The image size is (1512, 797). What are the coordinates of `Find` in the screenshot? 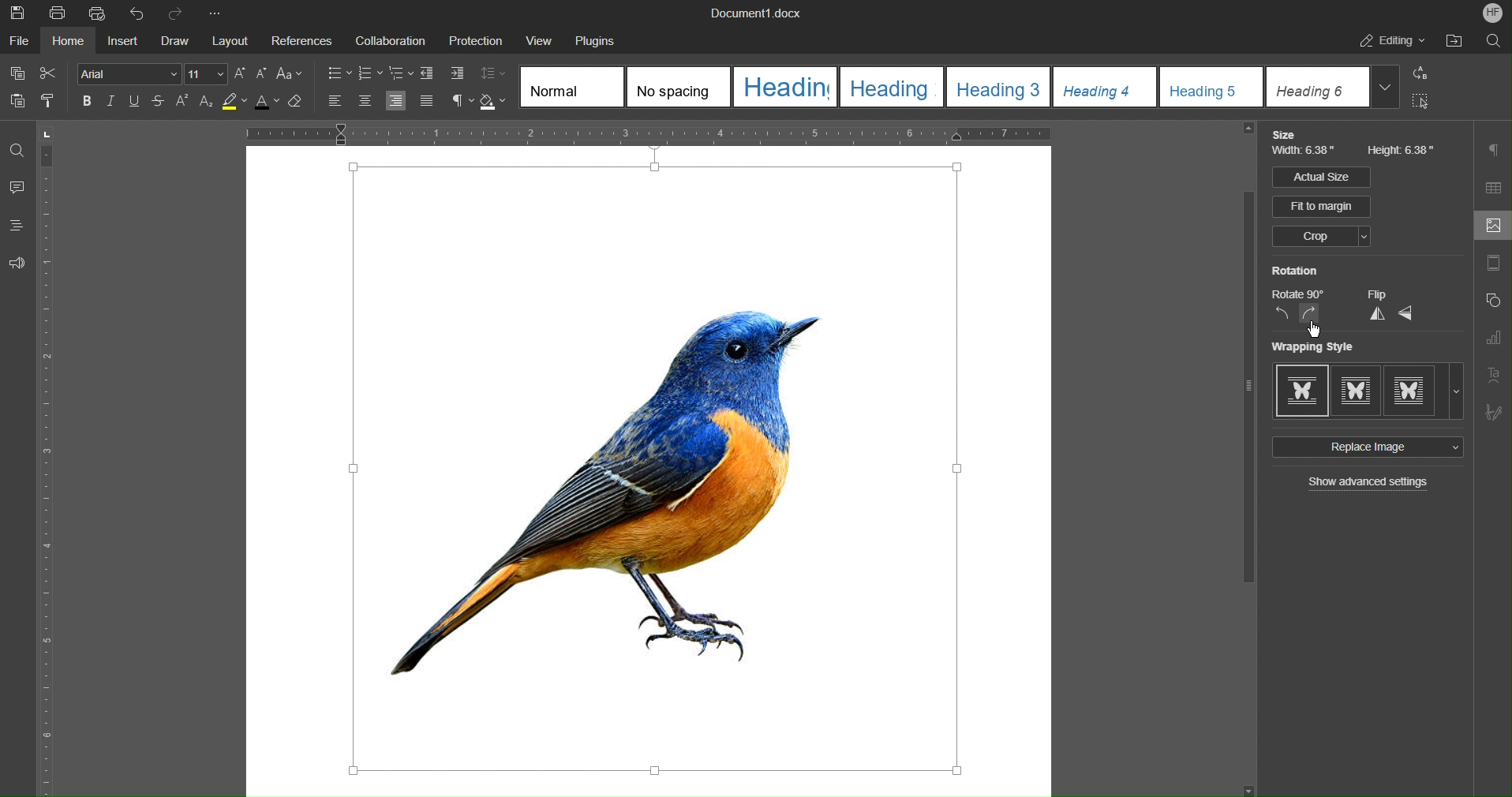 It's located at (16, 151).